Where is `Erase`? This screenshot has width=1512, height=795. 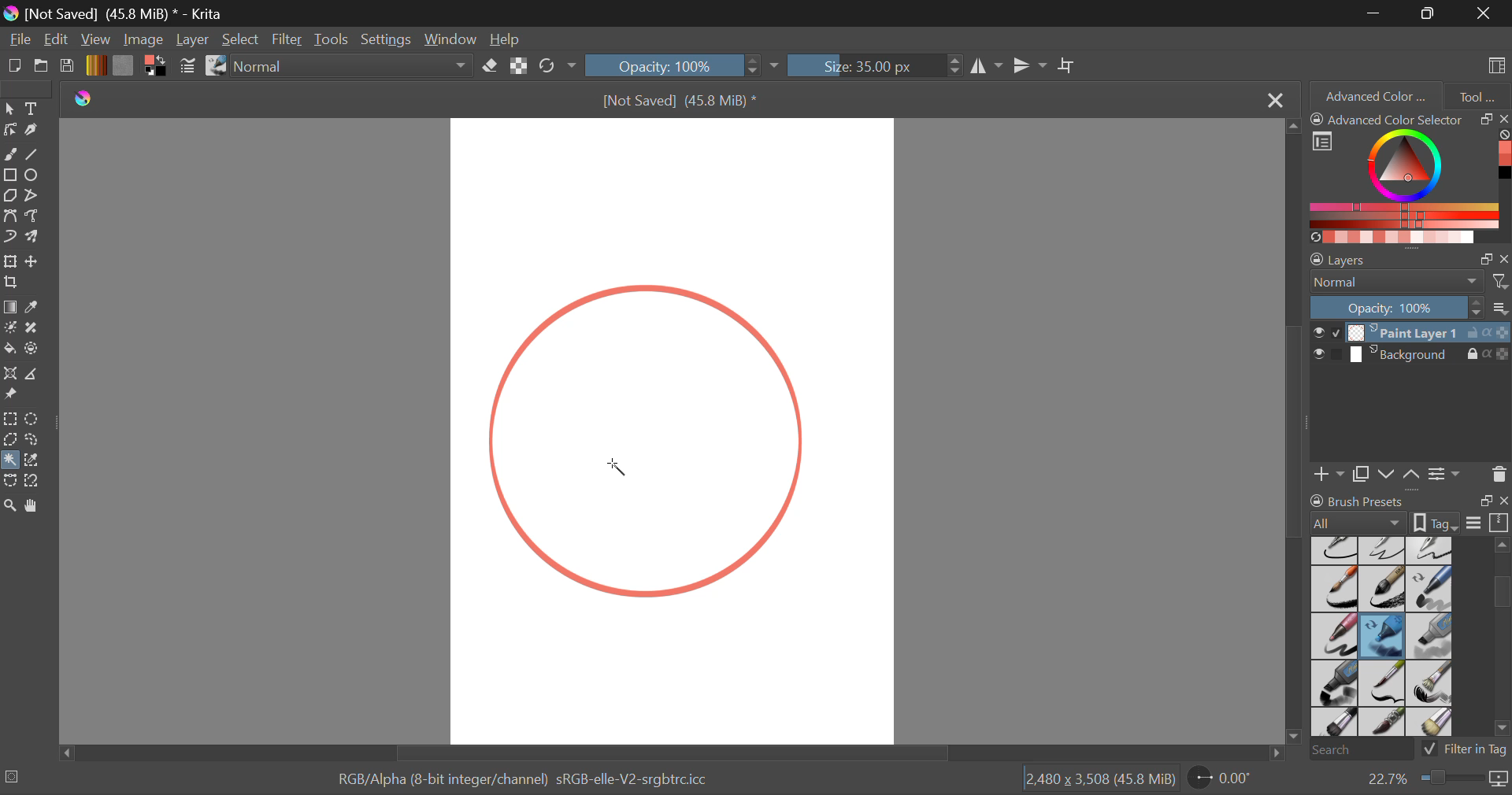 Erase is located at coordinates (493, 68).